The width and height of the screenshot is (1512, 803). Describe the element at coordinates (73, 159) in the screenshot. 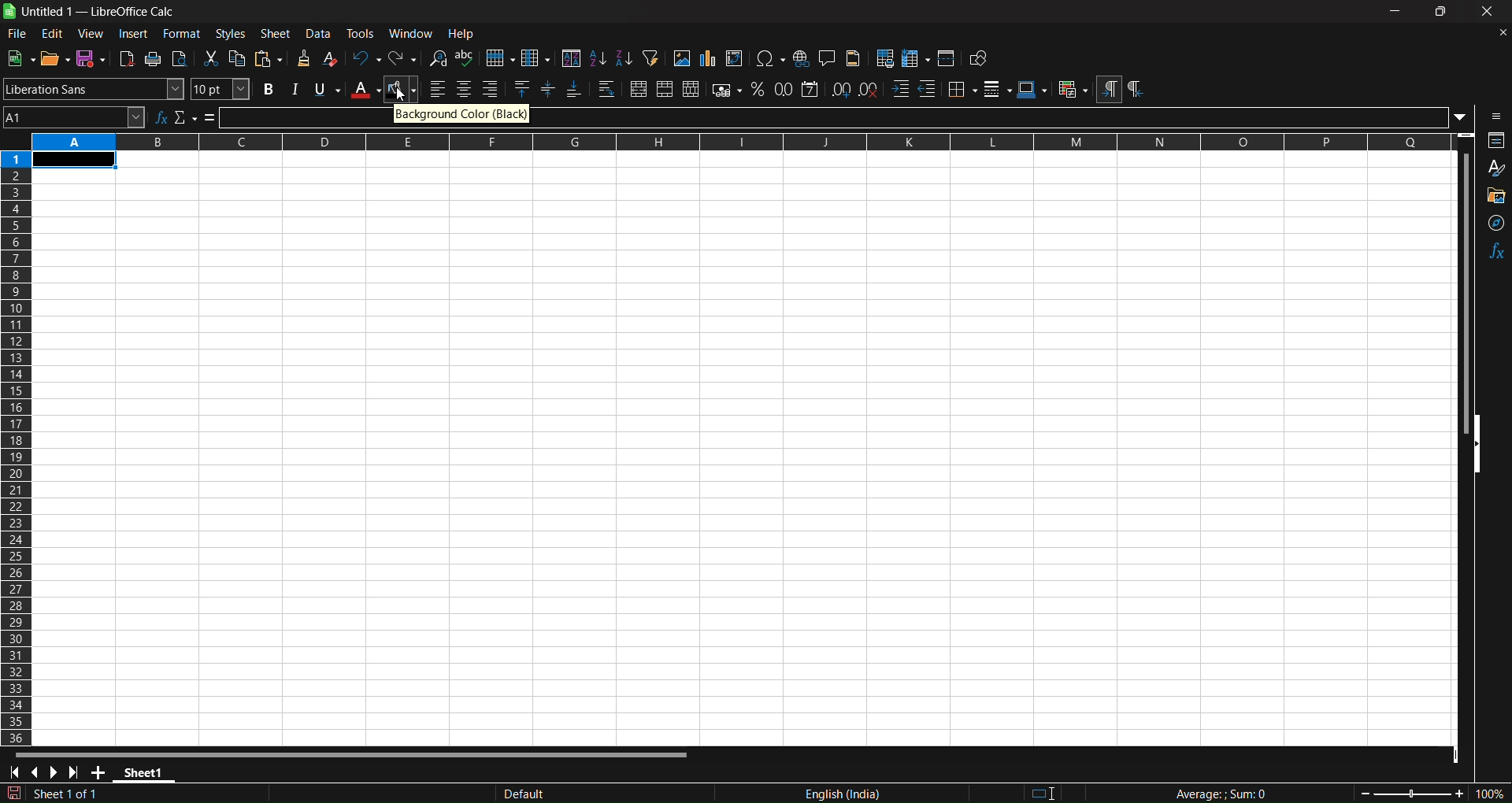

I see `cell 1 is selected` at that location.